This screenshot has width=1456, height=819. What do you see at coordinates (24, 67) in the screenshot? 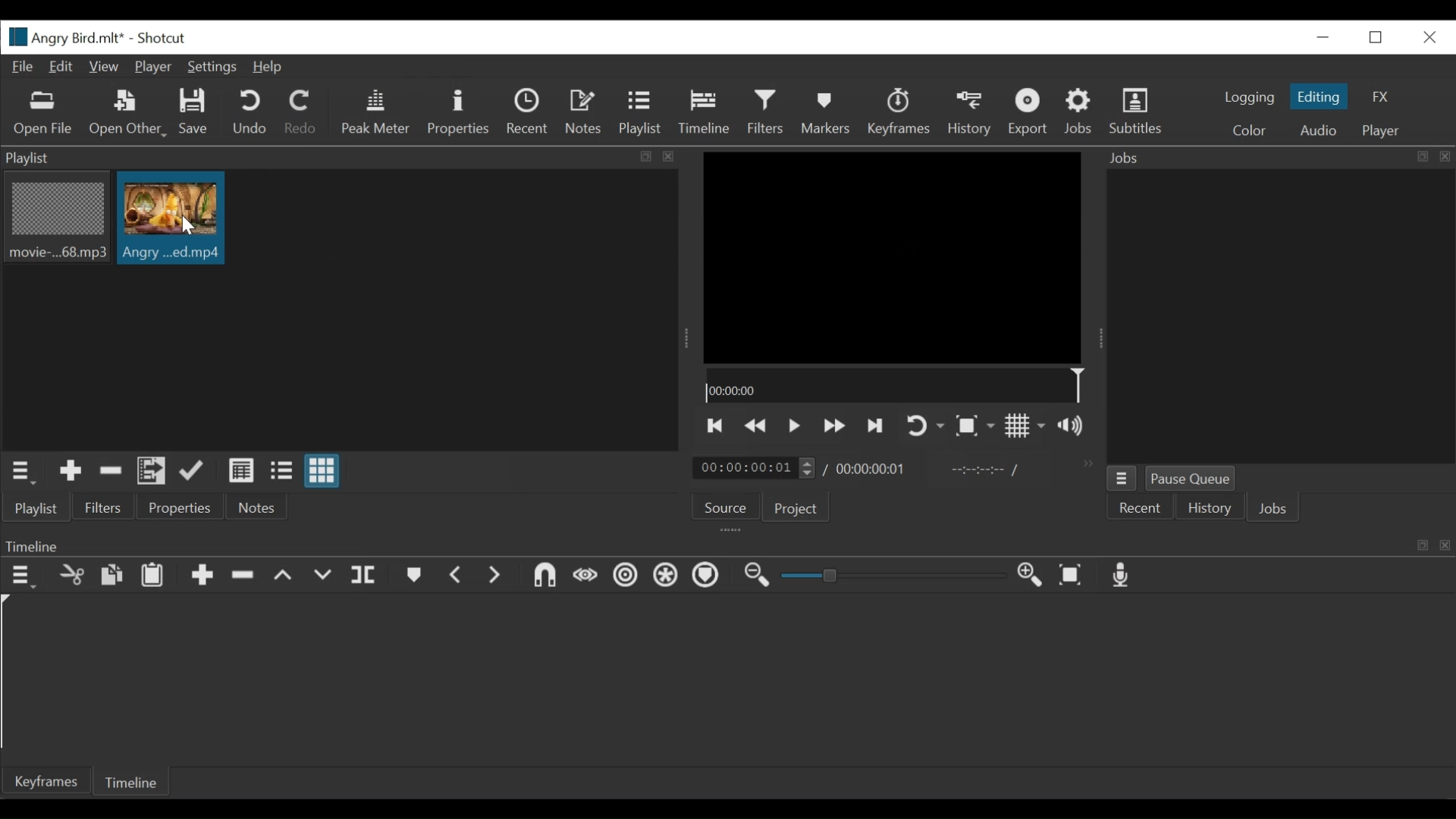
I see `File` at bounding box center [24, 67].